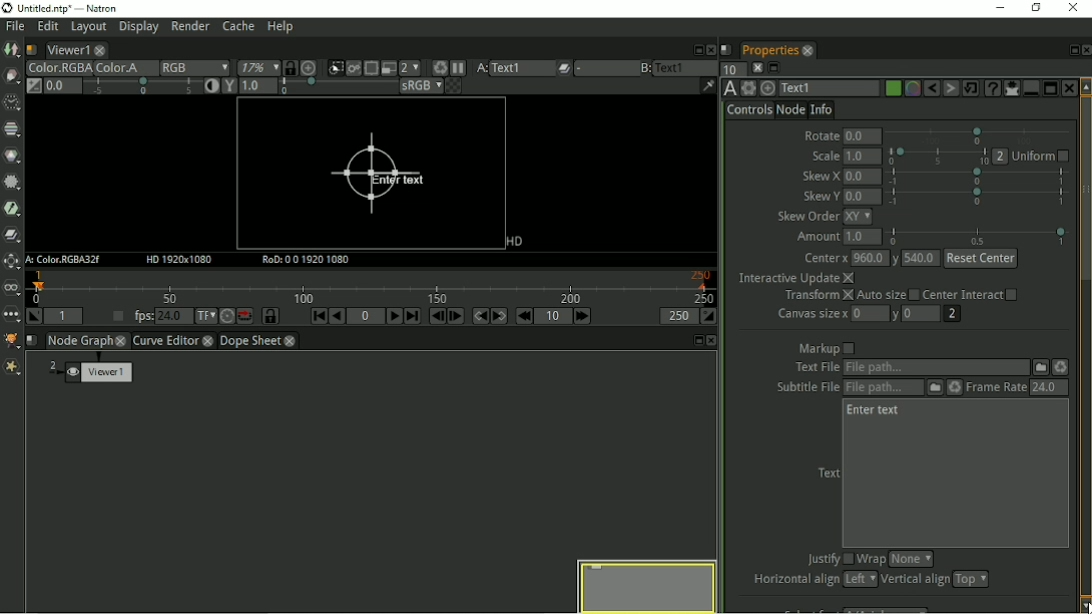 This screenshot has width=1092, height=614. Describe the element at coordinates (873, 410) in the screenshot. I see `Enter text` at that location.